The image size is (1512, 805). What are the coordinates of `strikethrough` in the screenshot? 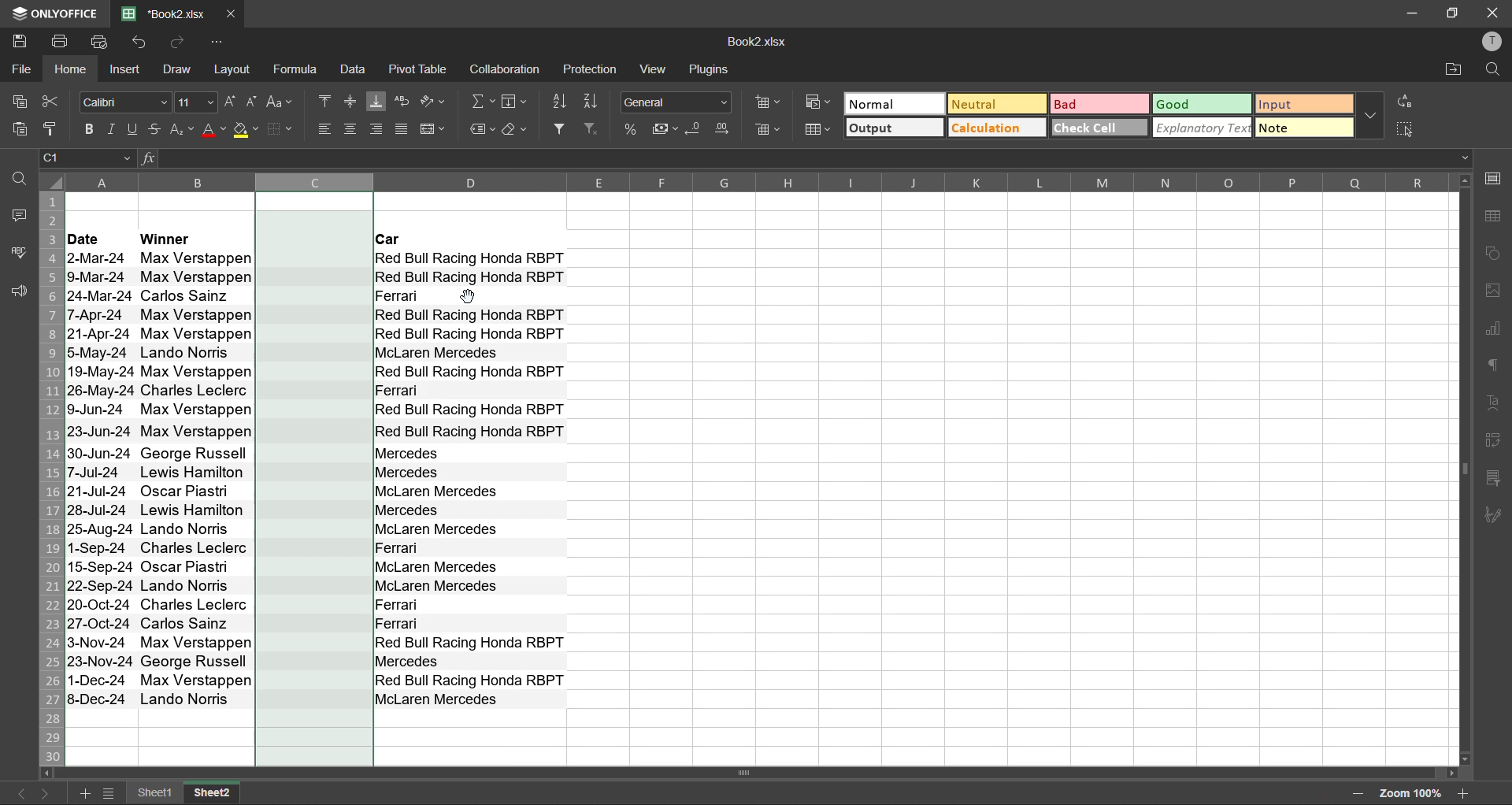 It's located at (157, 128).